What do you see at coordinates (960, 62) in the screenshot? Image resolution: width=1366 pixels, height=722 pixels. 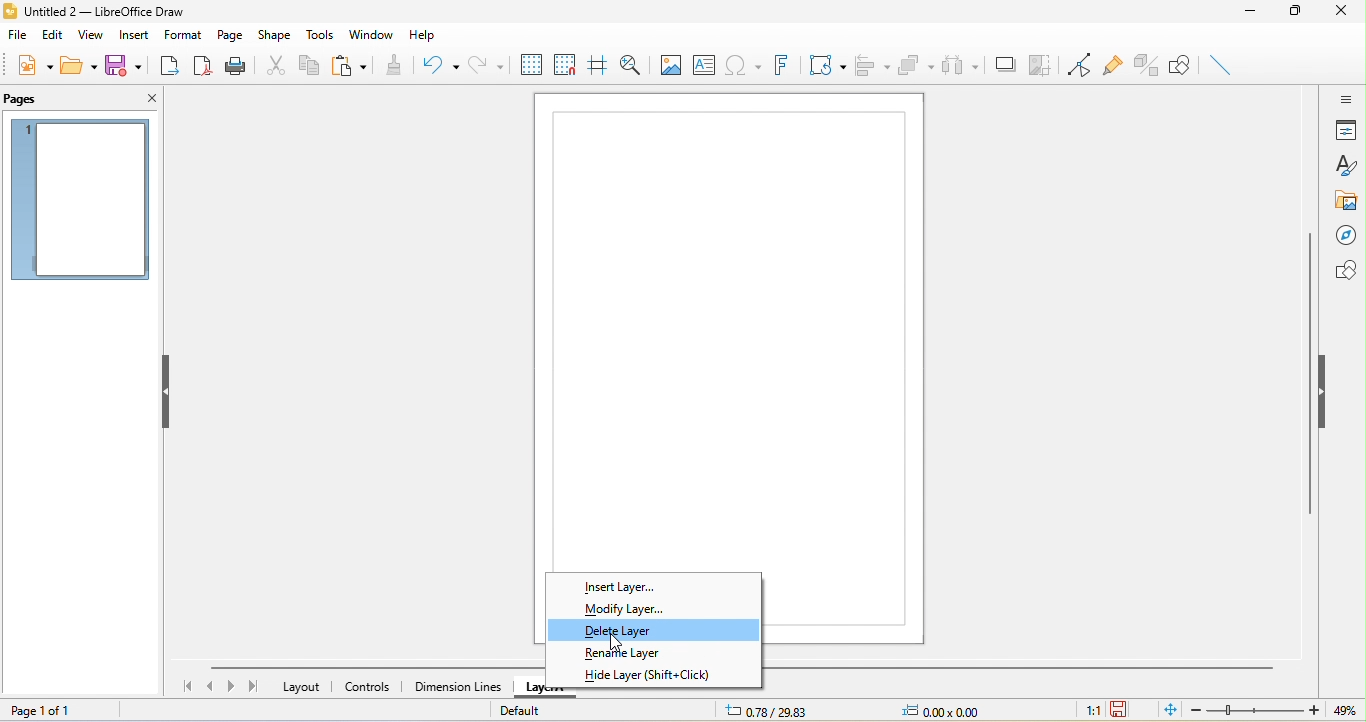 I see `select at least three object to distribute` at bounding box center [960, 62].